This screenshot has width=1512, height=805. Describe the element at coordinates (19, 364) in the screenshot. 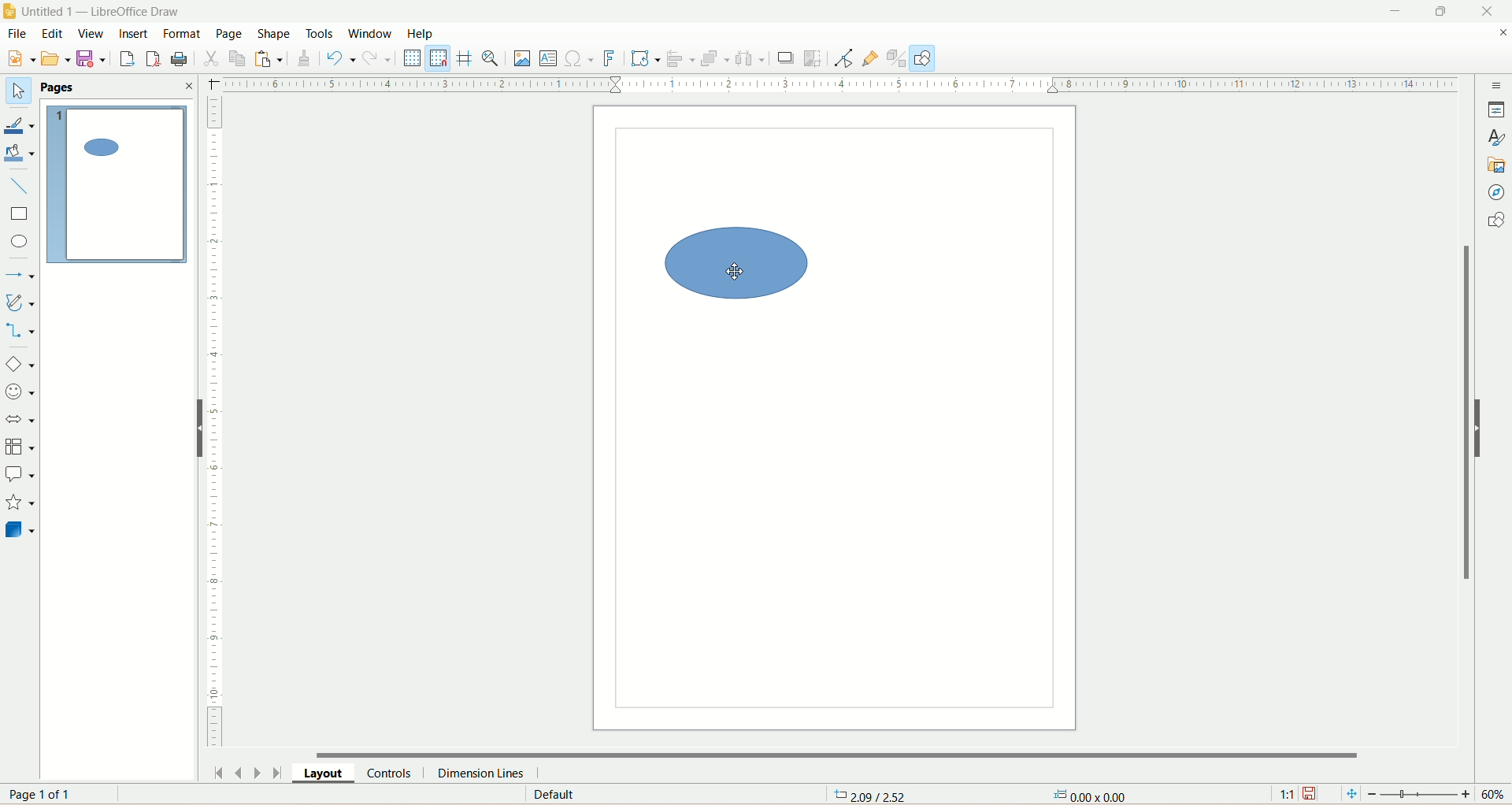

I see `basic shapes` at that location.